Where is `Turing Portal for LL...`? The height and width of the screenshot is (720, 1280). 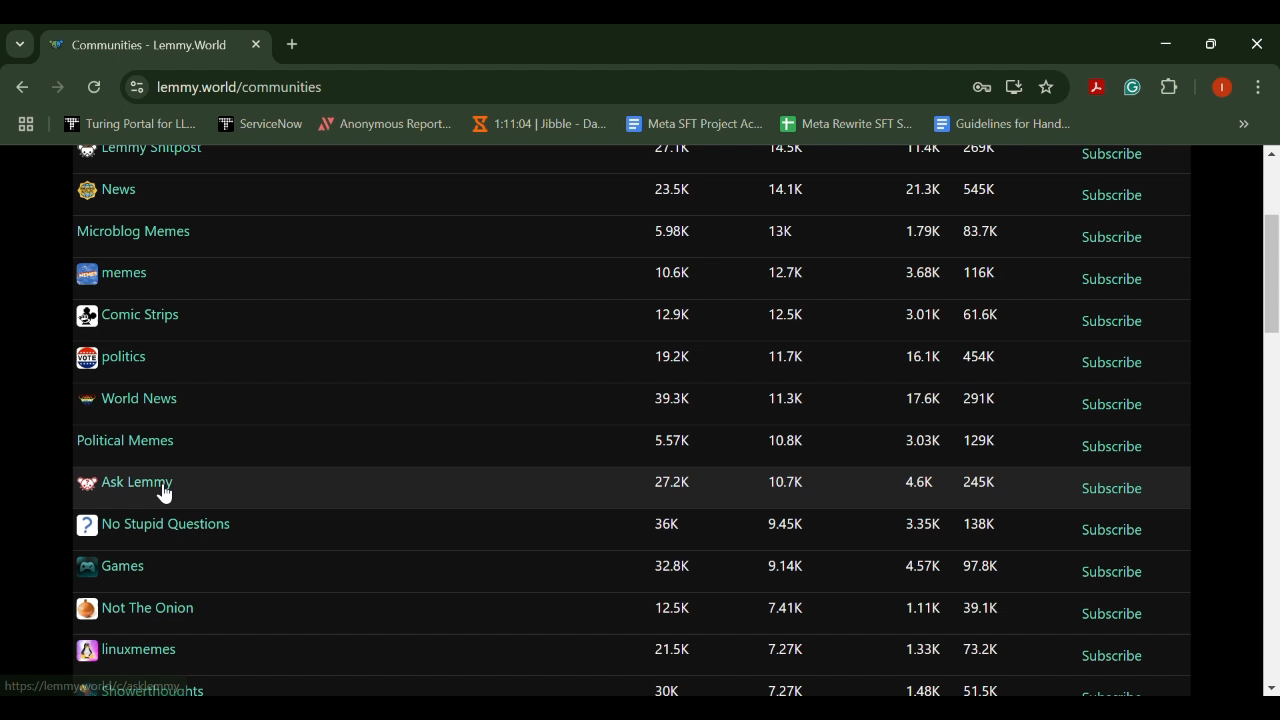 Turing Portal for LL... is located at coordinates (130, 126).